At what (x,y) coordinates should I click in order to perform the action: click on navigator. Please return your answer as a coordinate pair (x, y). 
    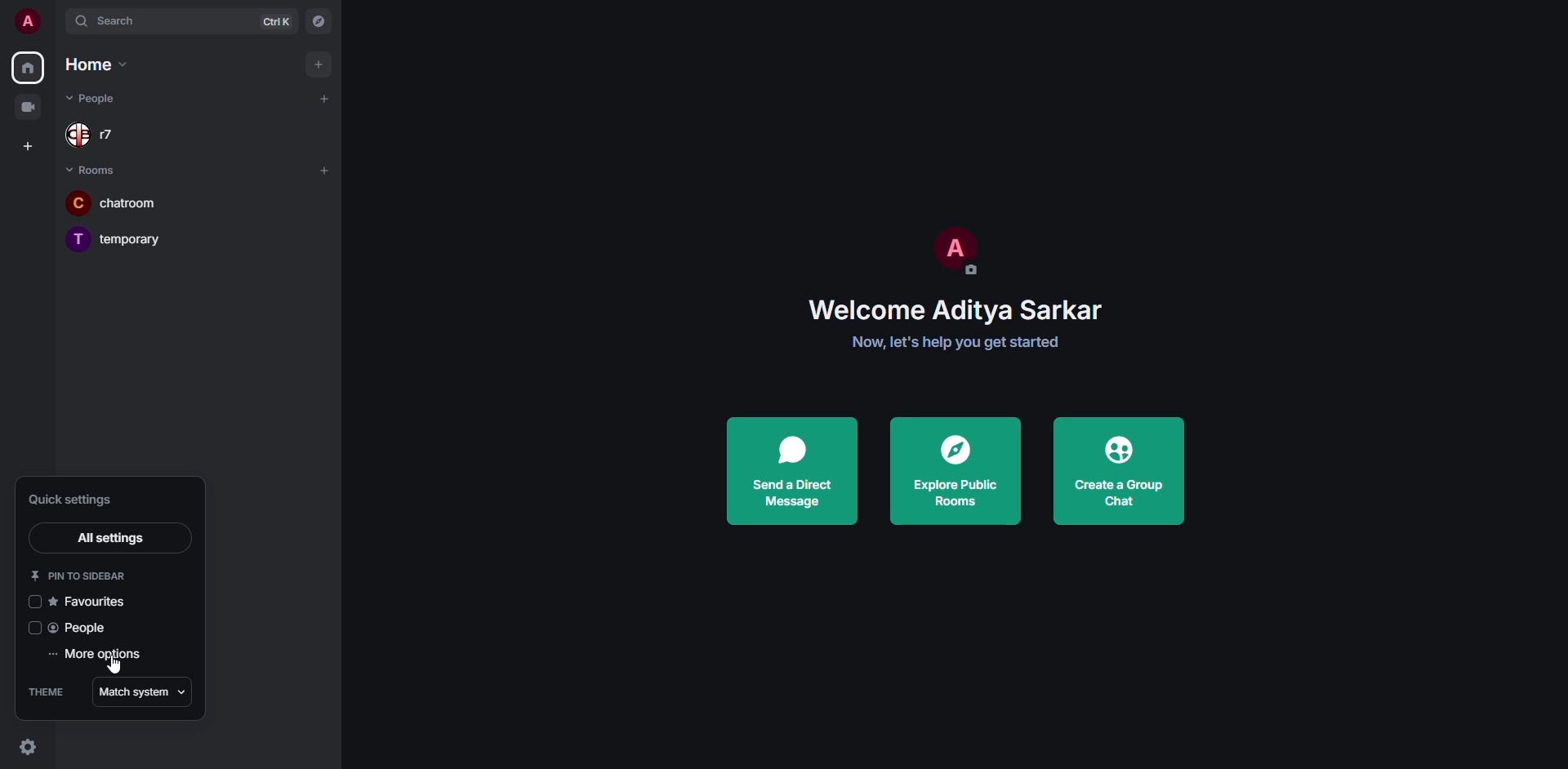
    Looking at the image, I should click on (321, 21).